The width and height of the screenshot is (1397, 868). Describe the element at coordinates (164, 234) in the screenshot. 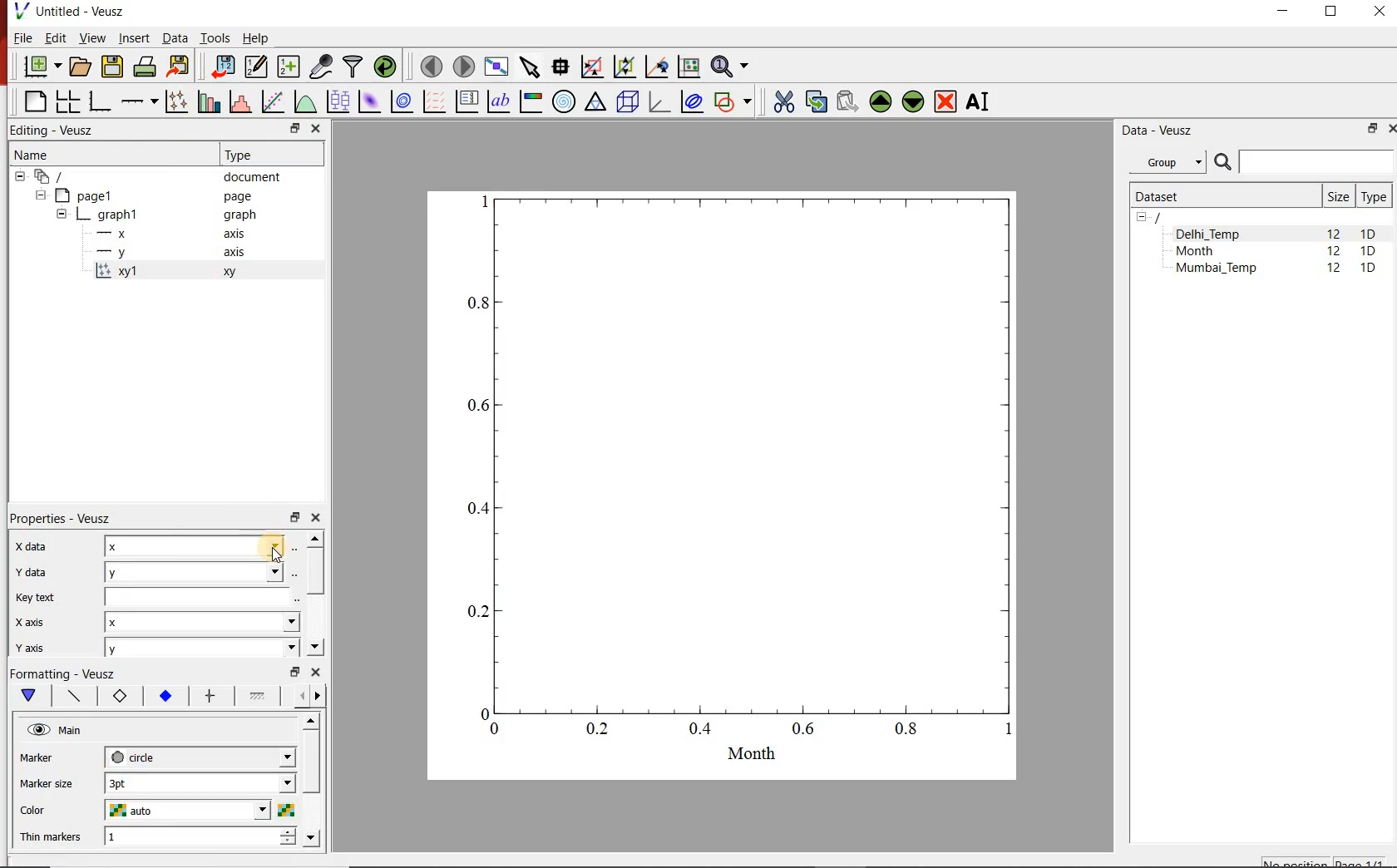

I see `-x axis` at that location.